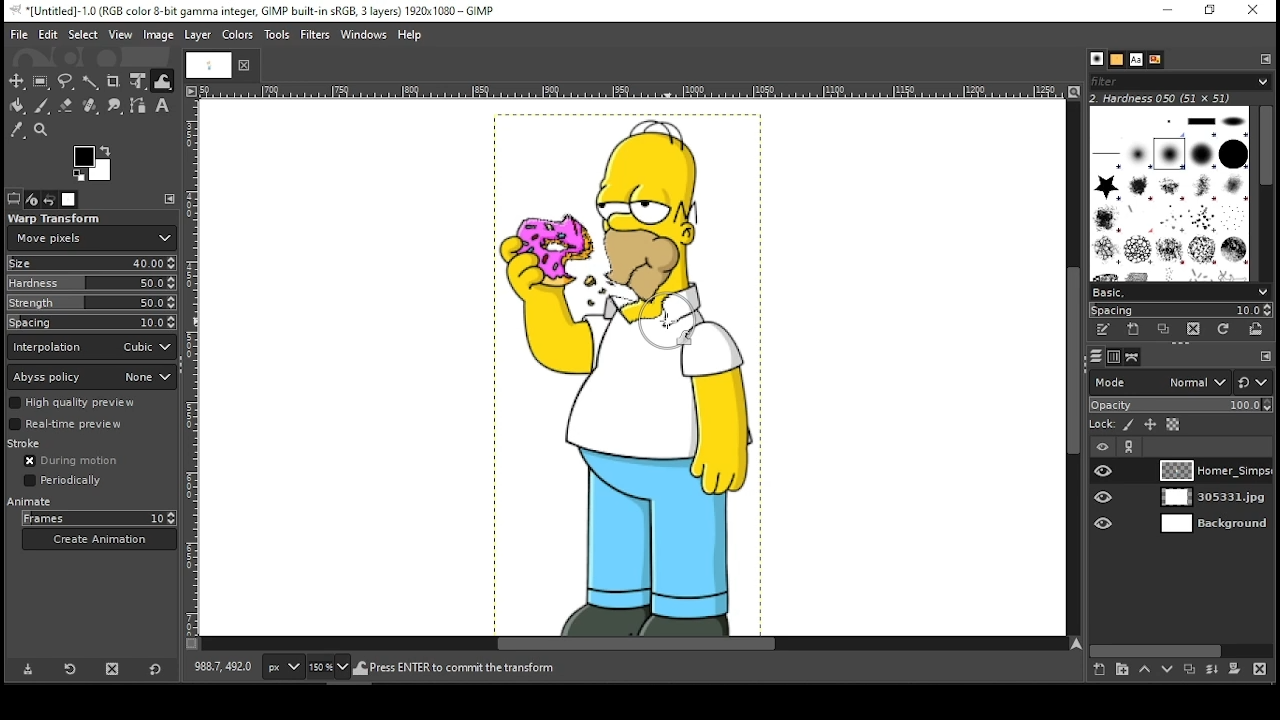  Describe the element at coordinates (92, 303) in the screenshot. I see `strength` at that location.